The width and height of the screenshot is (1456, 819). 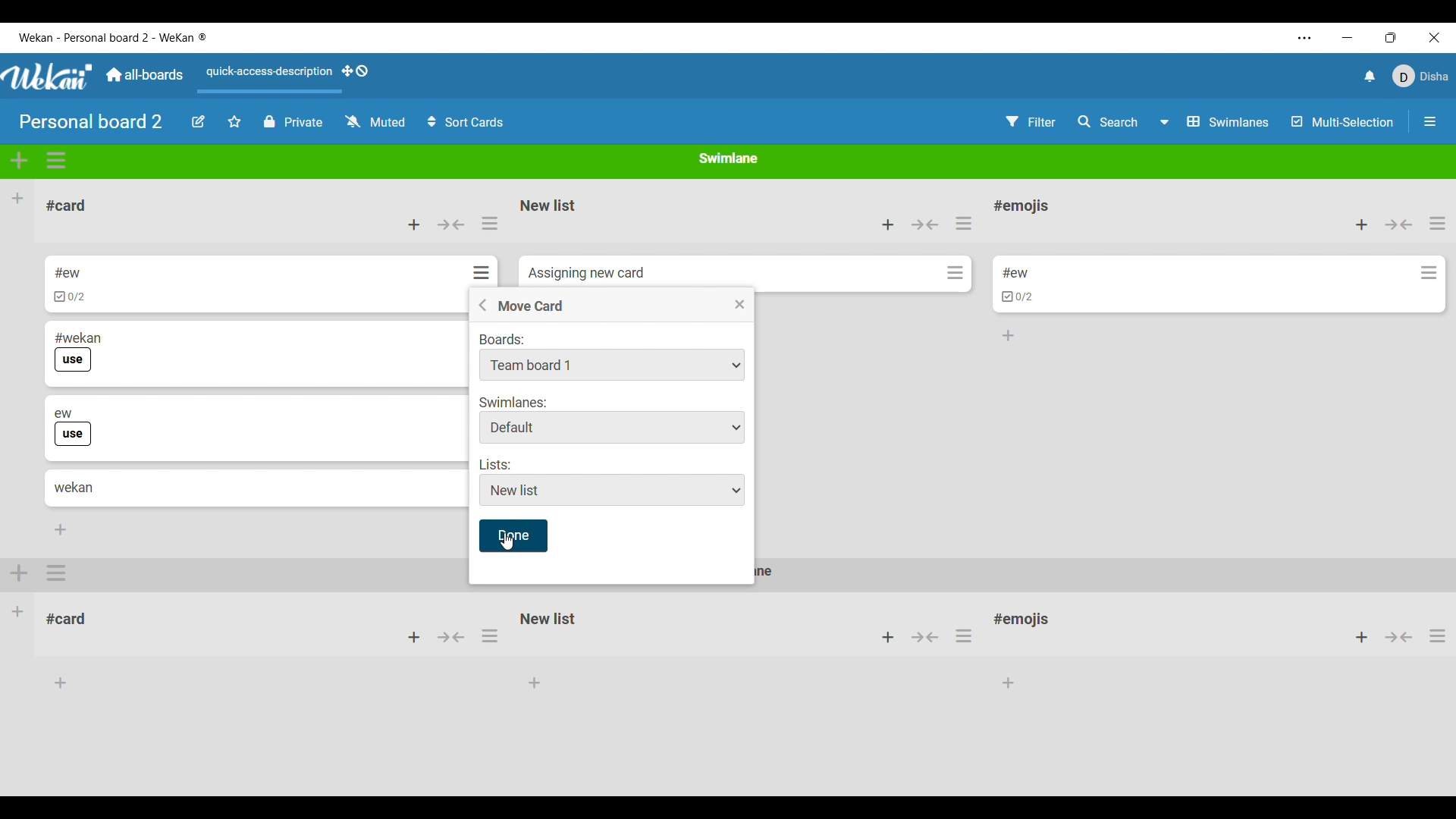 I want to click on Card name, so click(x=1015, y=273).